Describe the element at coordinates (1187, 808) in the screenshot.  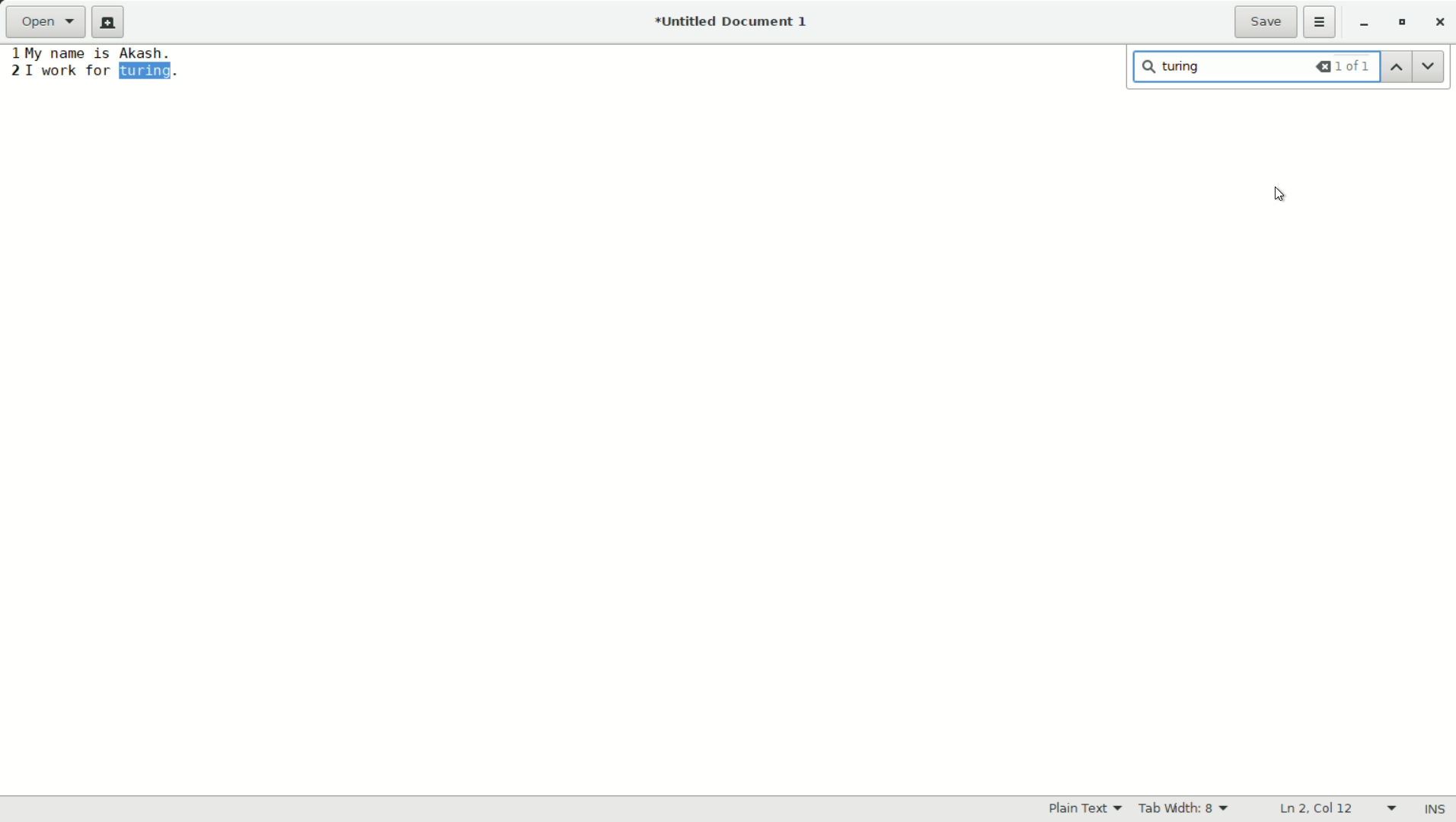
I see `tab width` at that location.